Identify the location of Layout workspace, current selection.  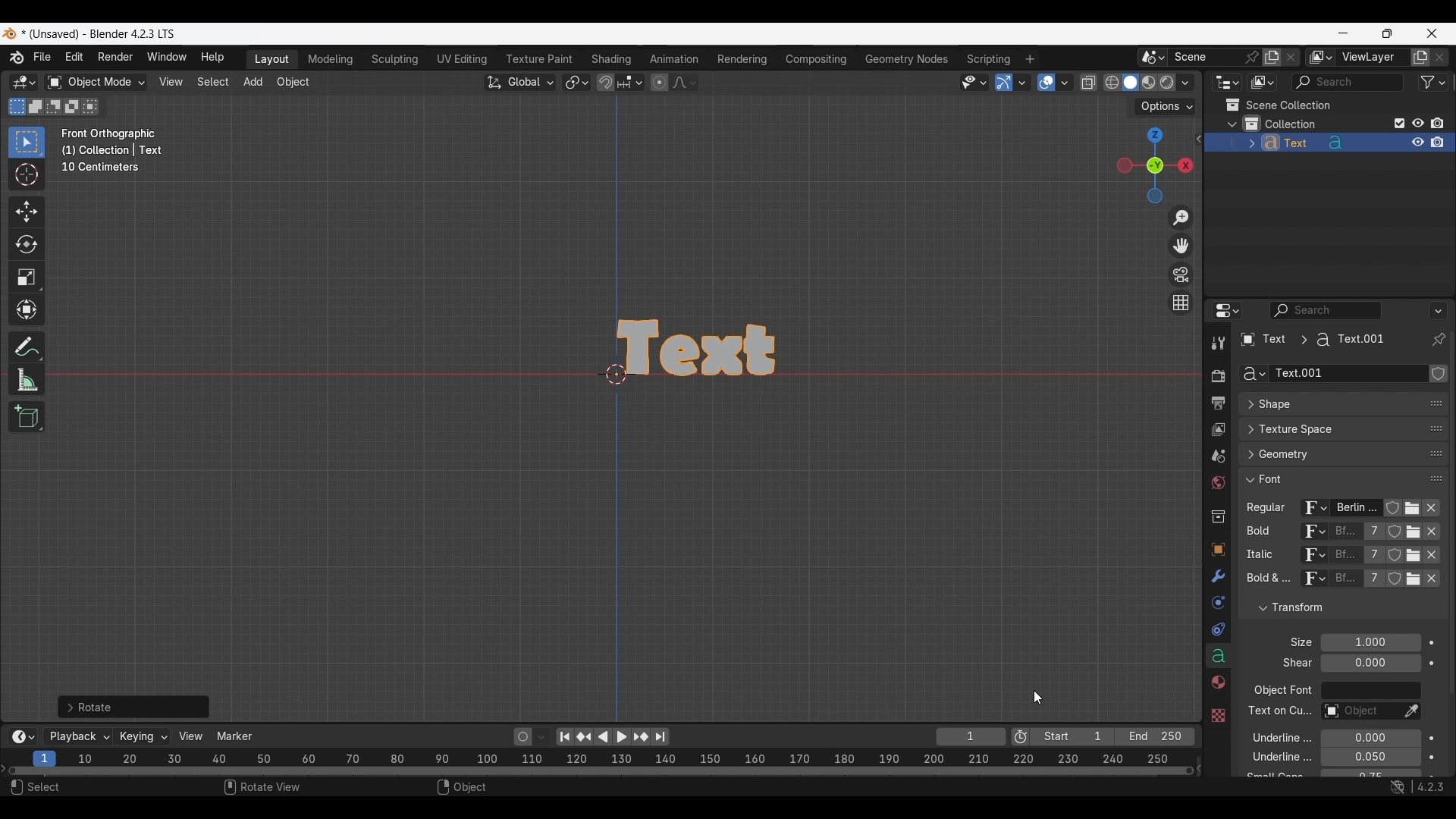
(271, 60).